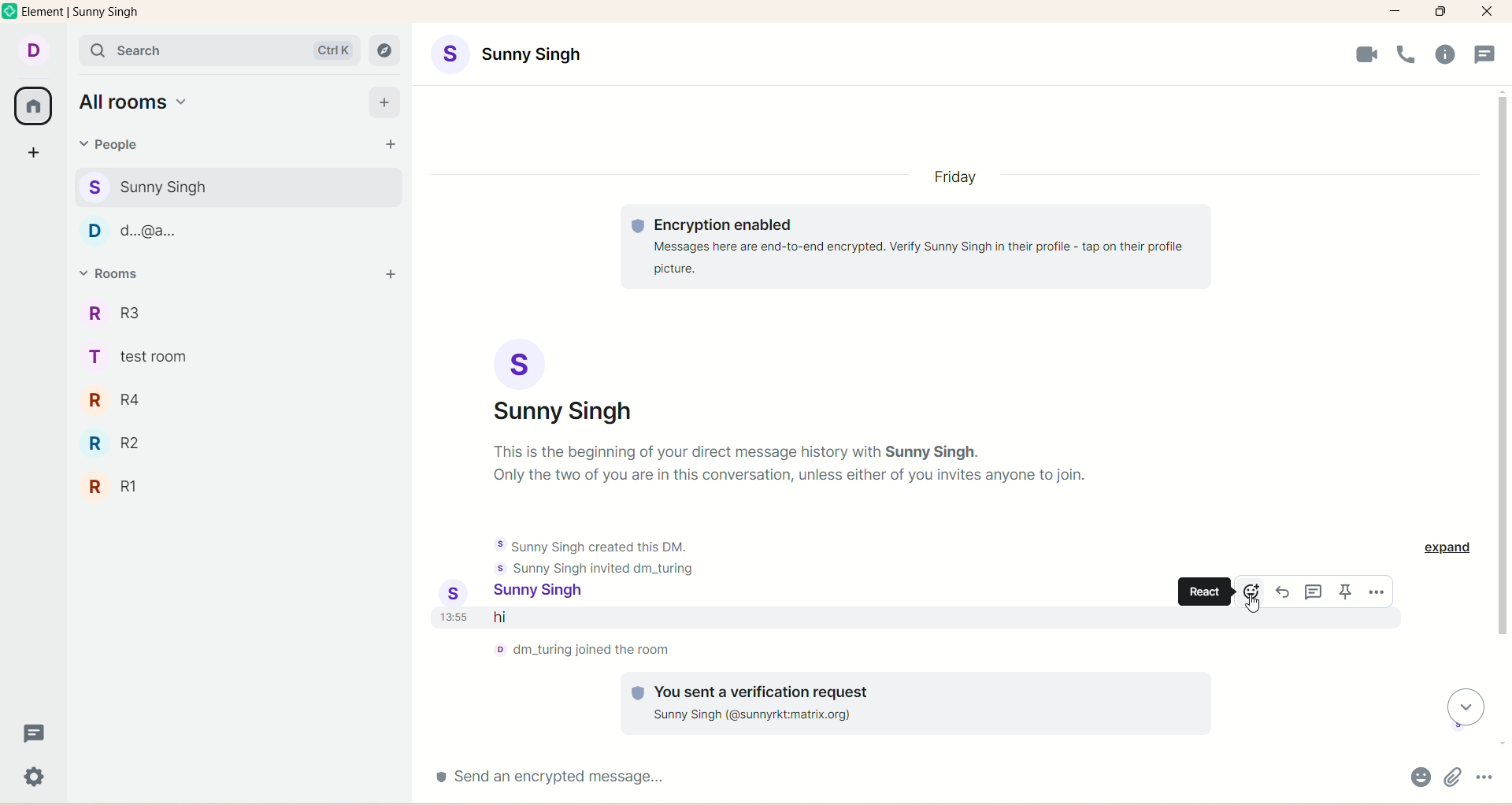 Image resolution: width=1512 pixels, height=805 pixels. Describe the element at coordinates (913, 777) in the screenshot. I see `send message` at that location.